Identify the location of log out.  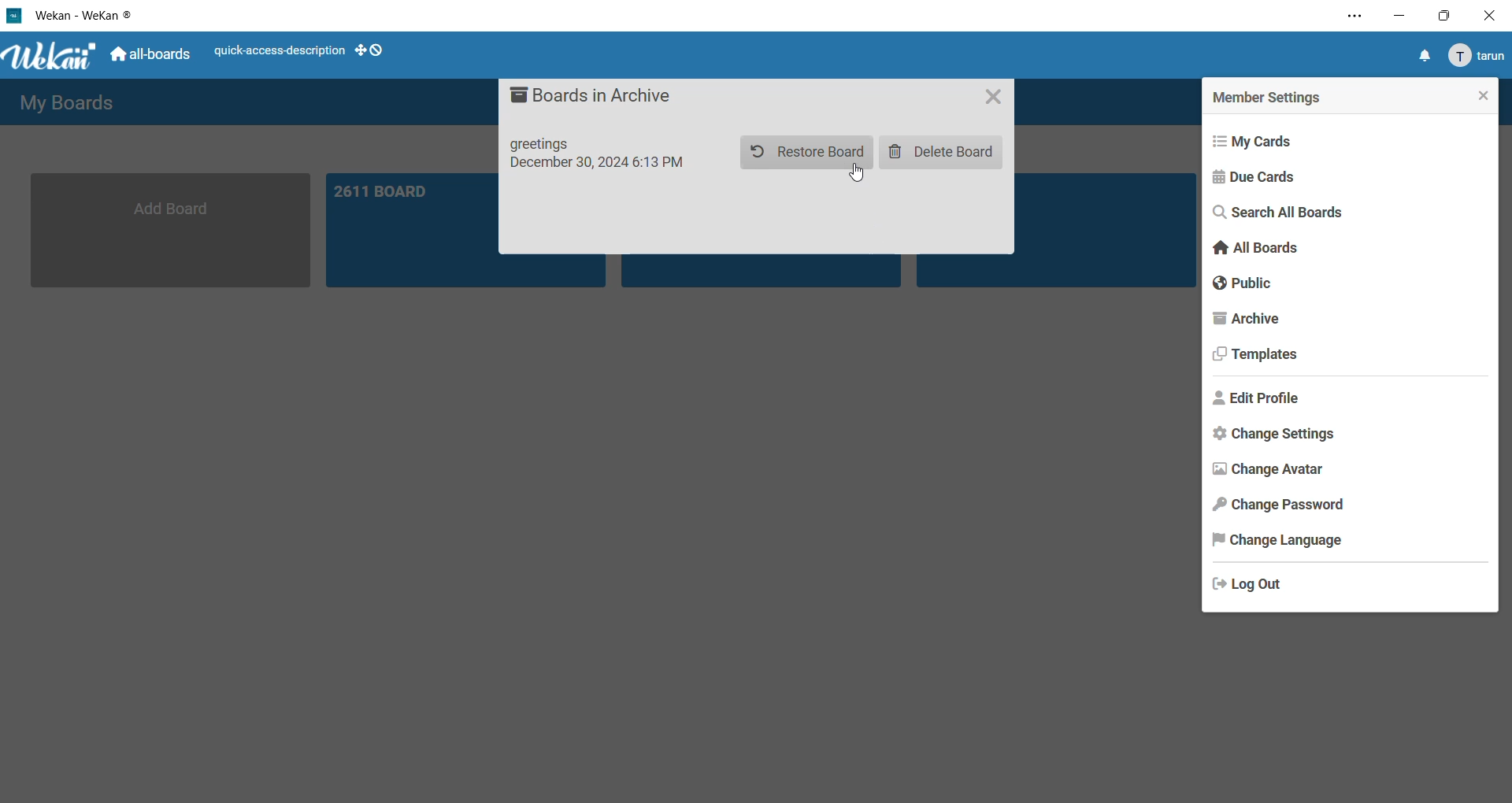
(1252, 582).